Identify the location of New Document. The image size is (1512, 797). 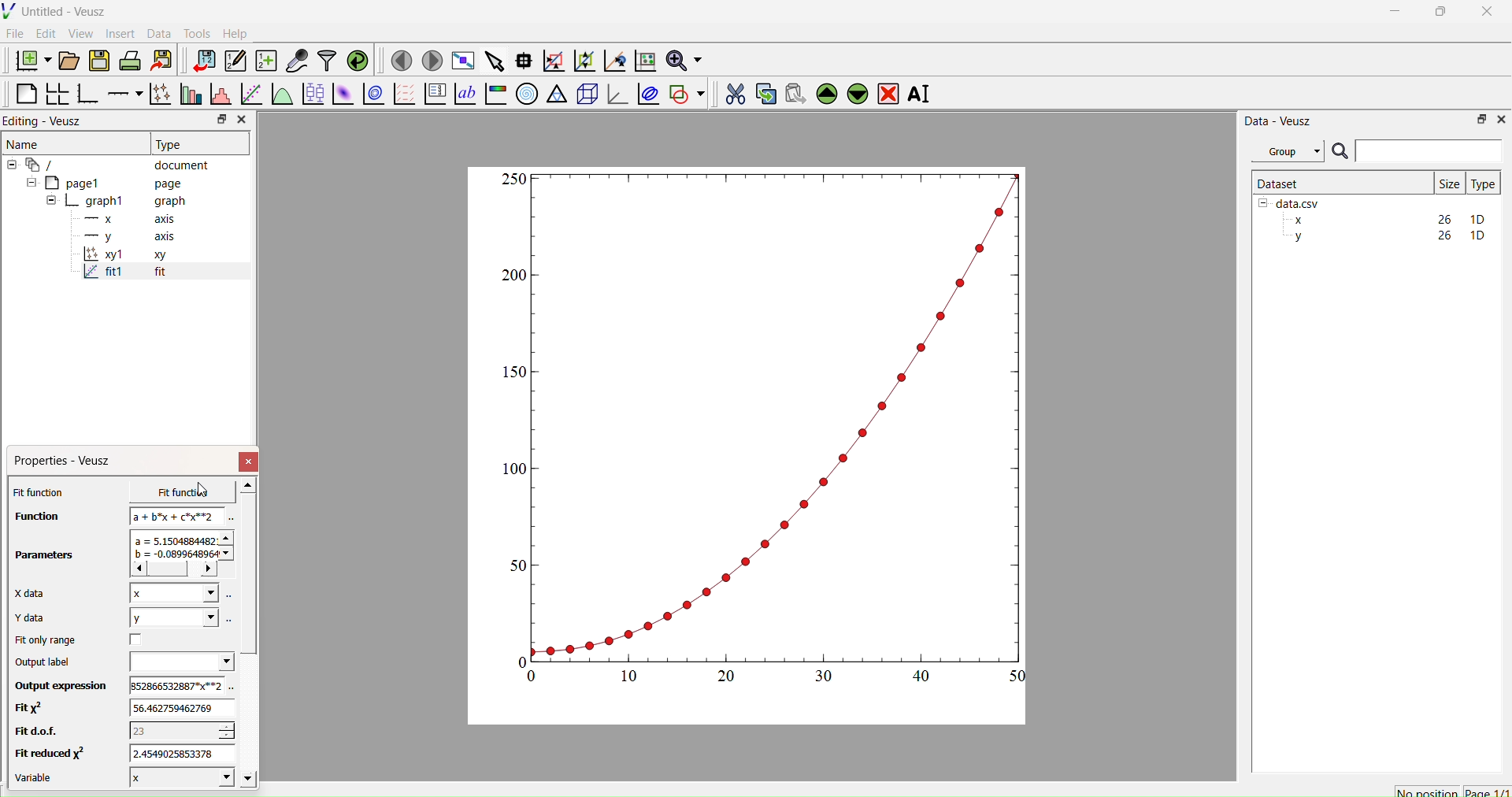
(29, 58).